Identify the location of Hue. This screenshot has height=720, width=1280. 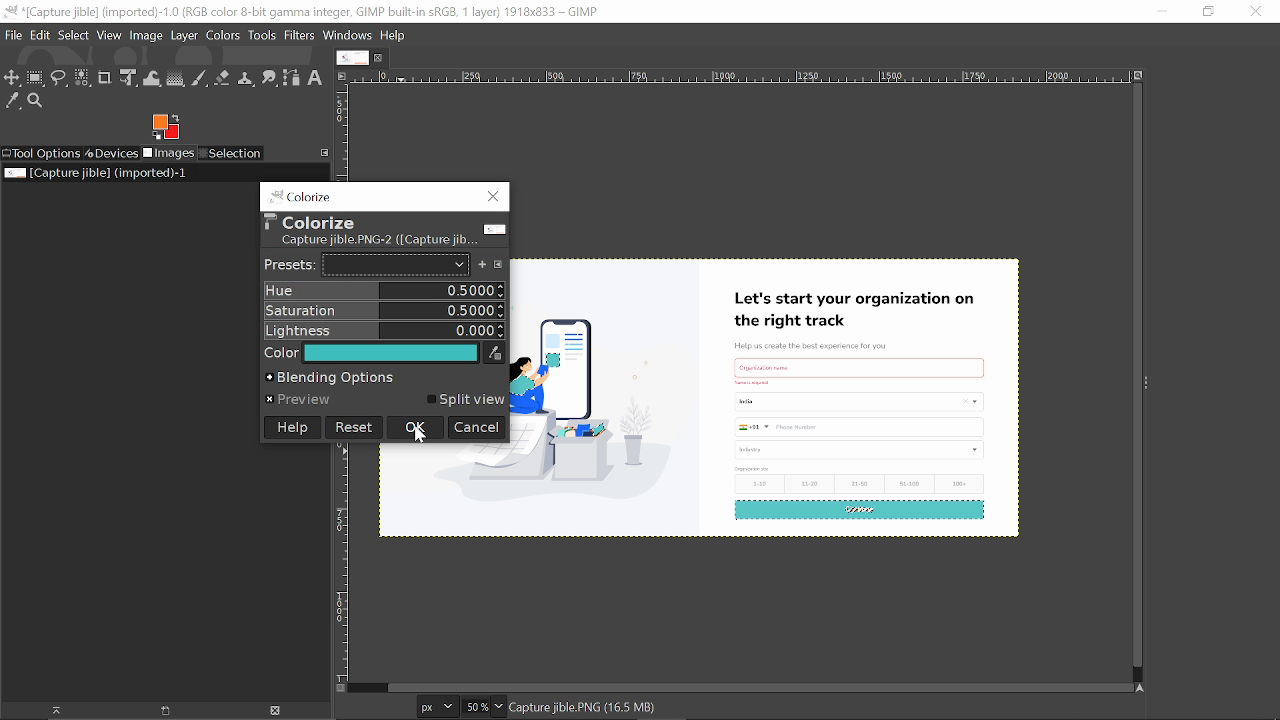
(383, 291).